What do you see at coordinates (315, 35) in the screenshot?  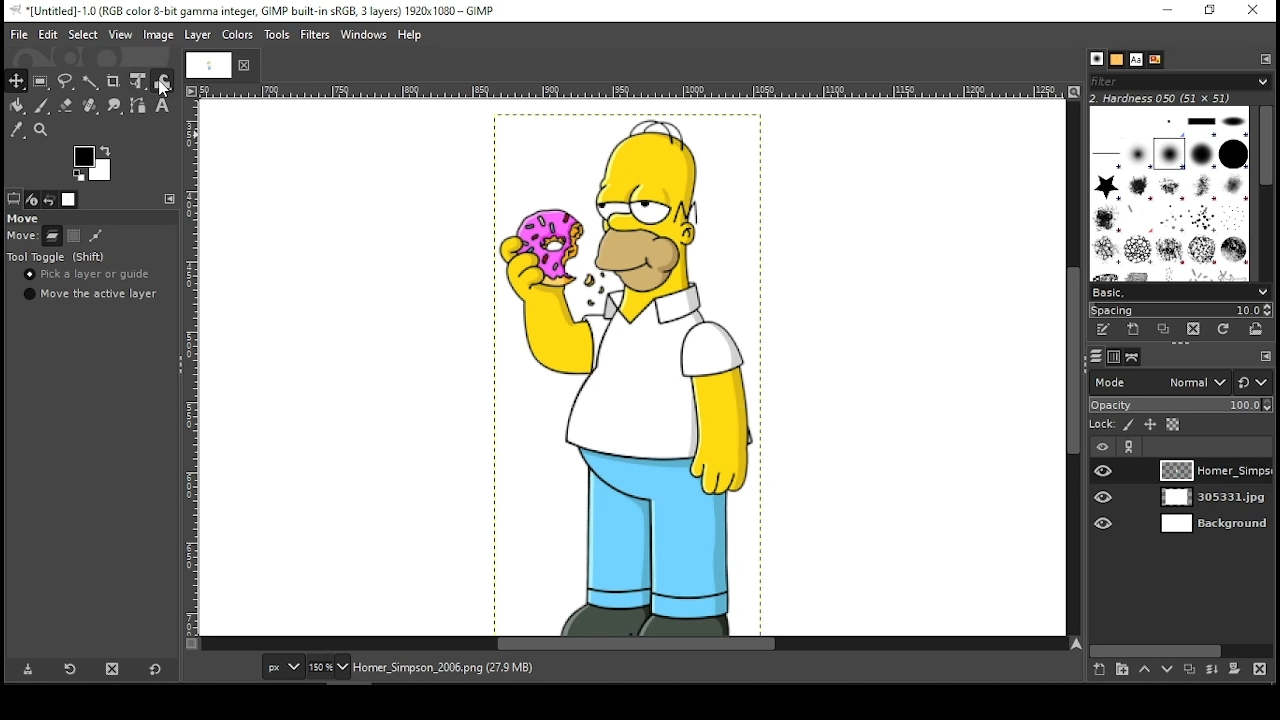 I see `filters` at bounding box center [315, 35].